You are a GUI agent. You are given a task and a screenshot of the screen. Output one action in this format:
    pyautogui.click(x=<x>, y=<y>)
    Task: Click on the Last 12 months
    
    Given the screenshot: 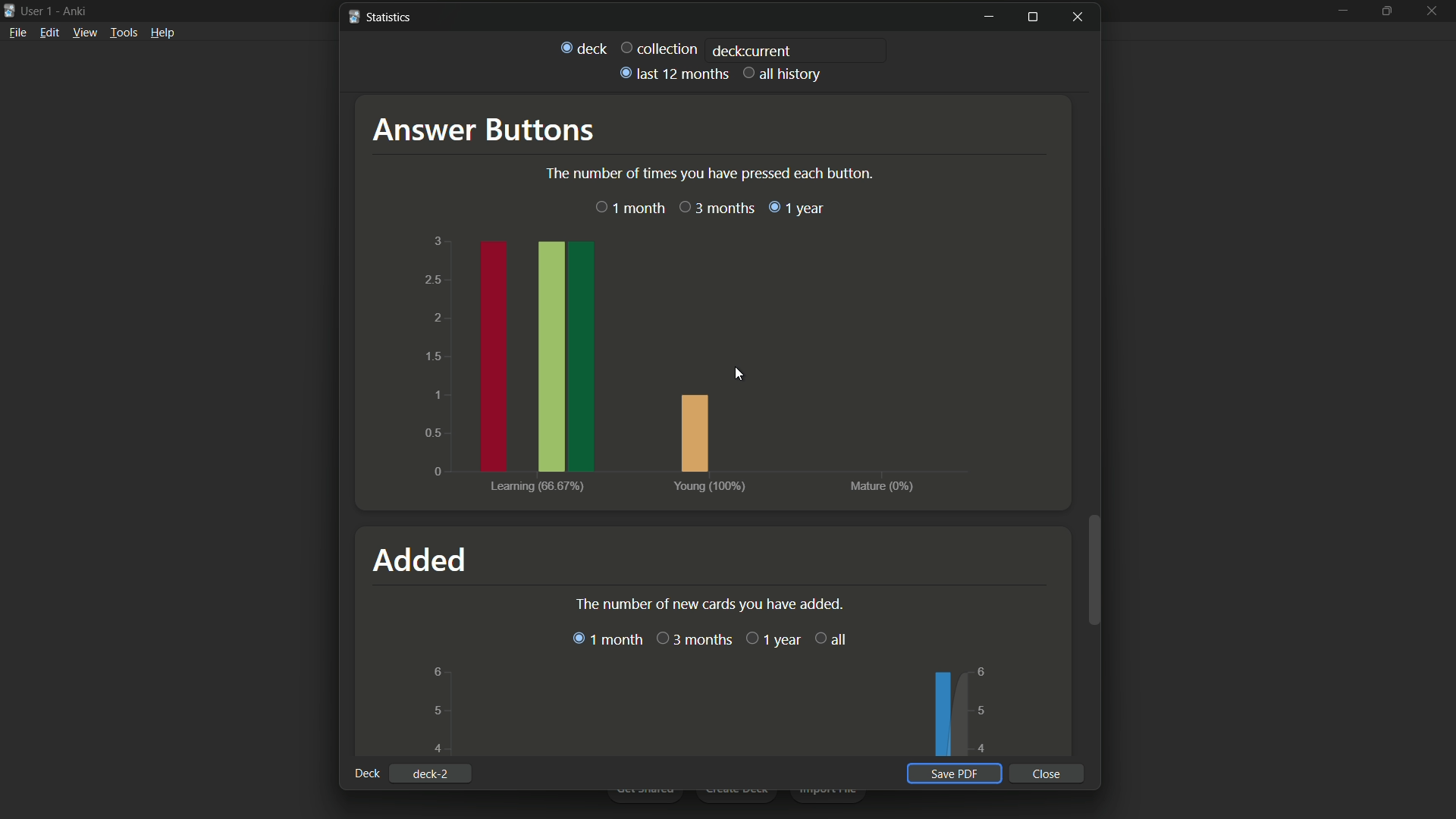 What is the action you would take?
    pyautogui.click(x=672, y=73)
    